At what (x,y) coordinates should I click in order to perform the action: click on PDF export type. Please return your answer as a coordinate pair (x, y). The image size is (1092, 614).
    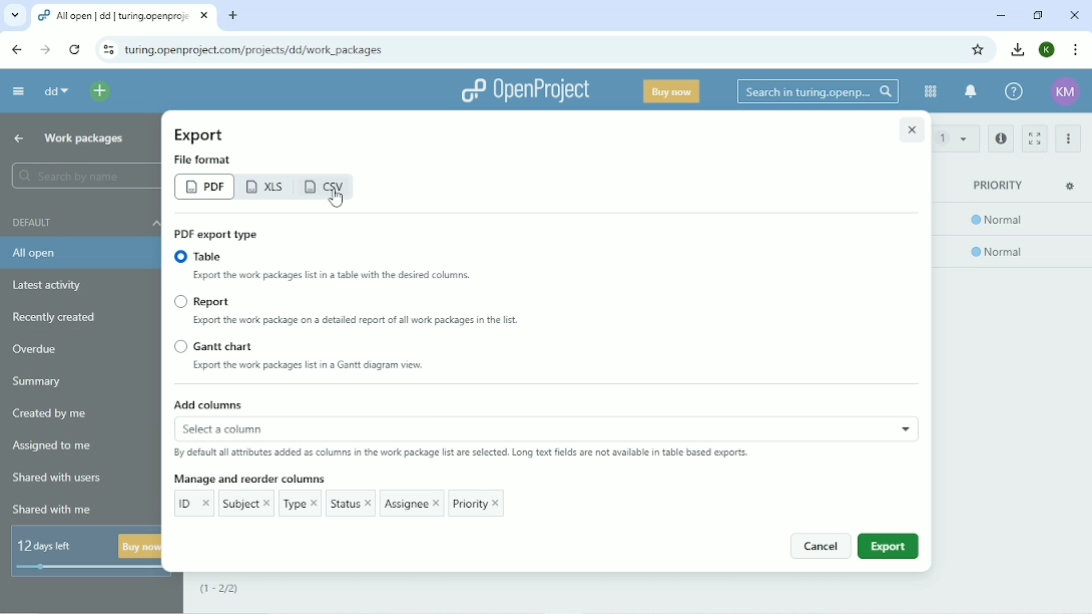
    Looking at the image, I should click on (215, 234).